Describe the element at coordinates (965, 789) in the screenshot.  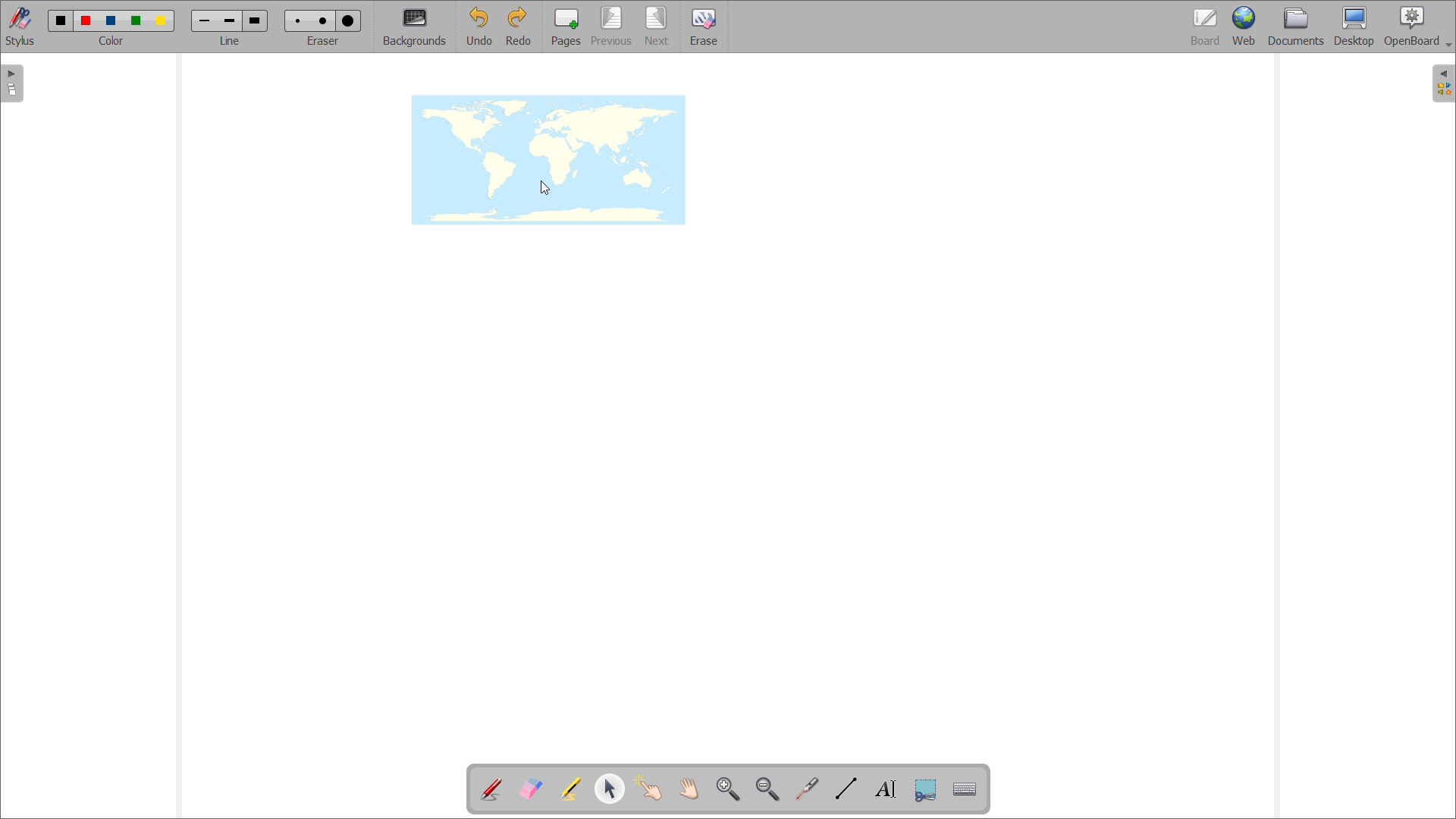
I see `virtual keyboard` at that location.